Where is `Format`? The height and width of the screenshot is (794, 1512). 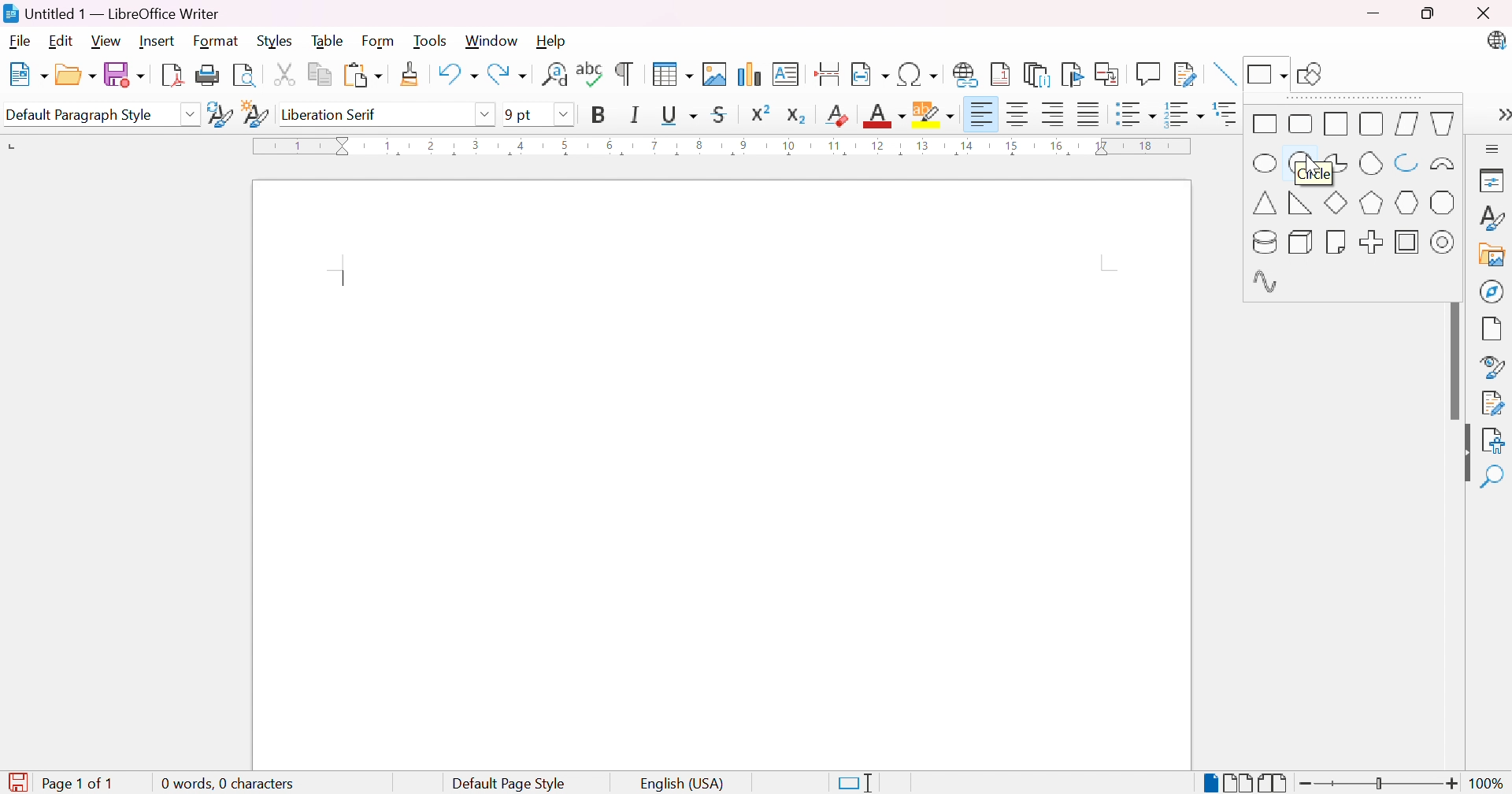 Format is located at coordinates (217, 42).